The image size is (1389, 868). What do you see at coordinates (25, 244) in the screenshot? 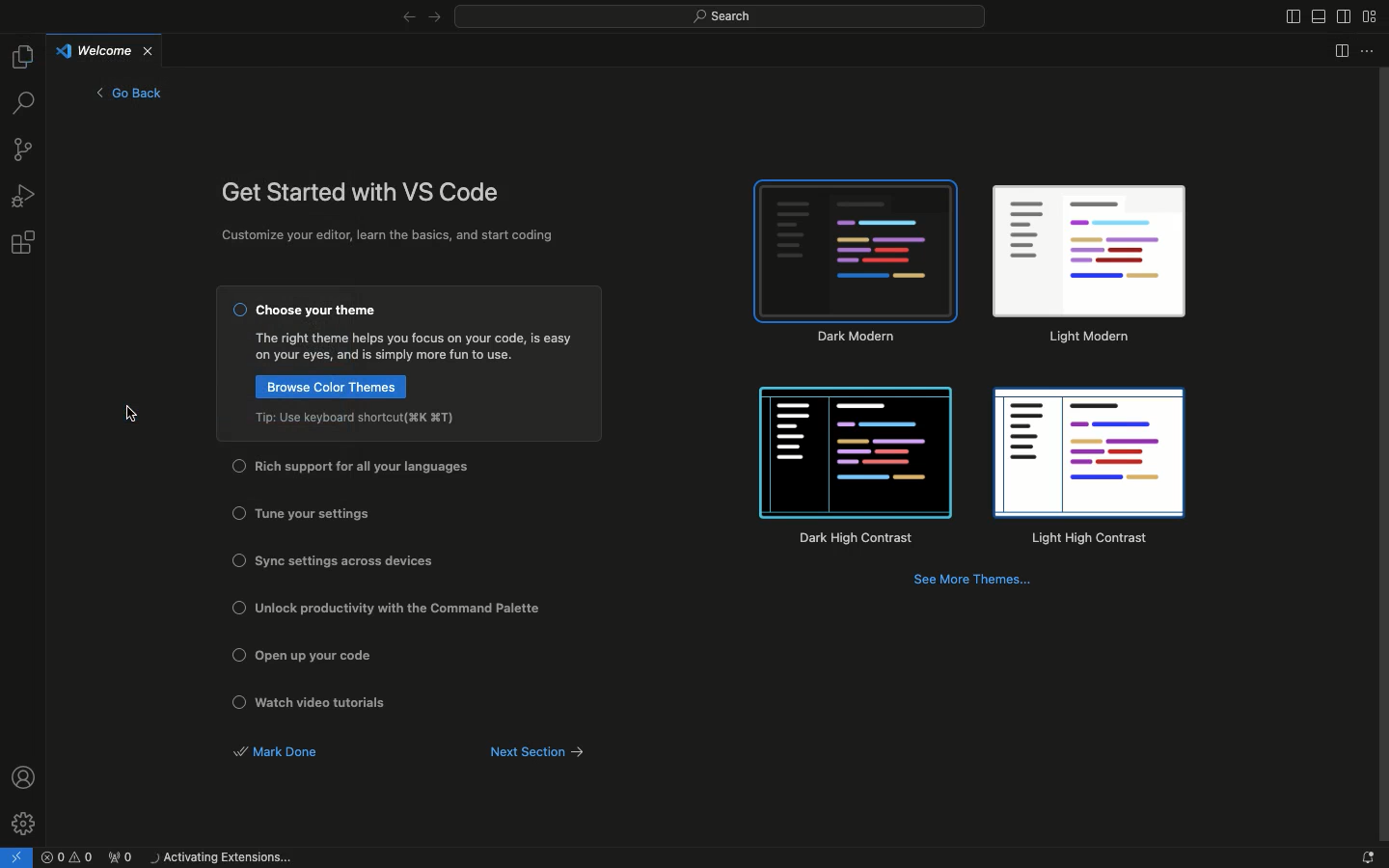
I see `Extensions` at bounding box center [25, 244].